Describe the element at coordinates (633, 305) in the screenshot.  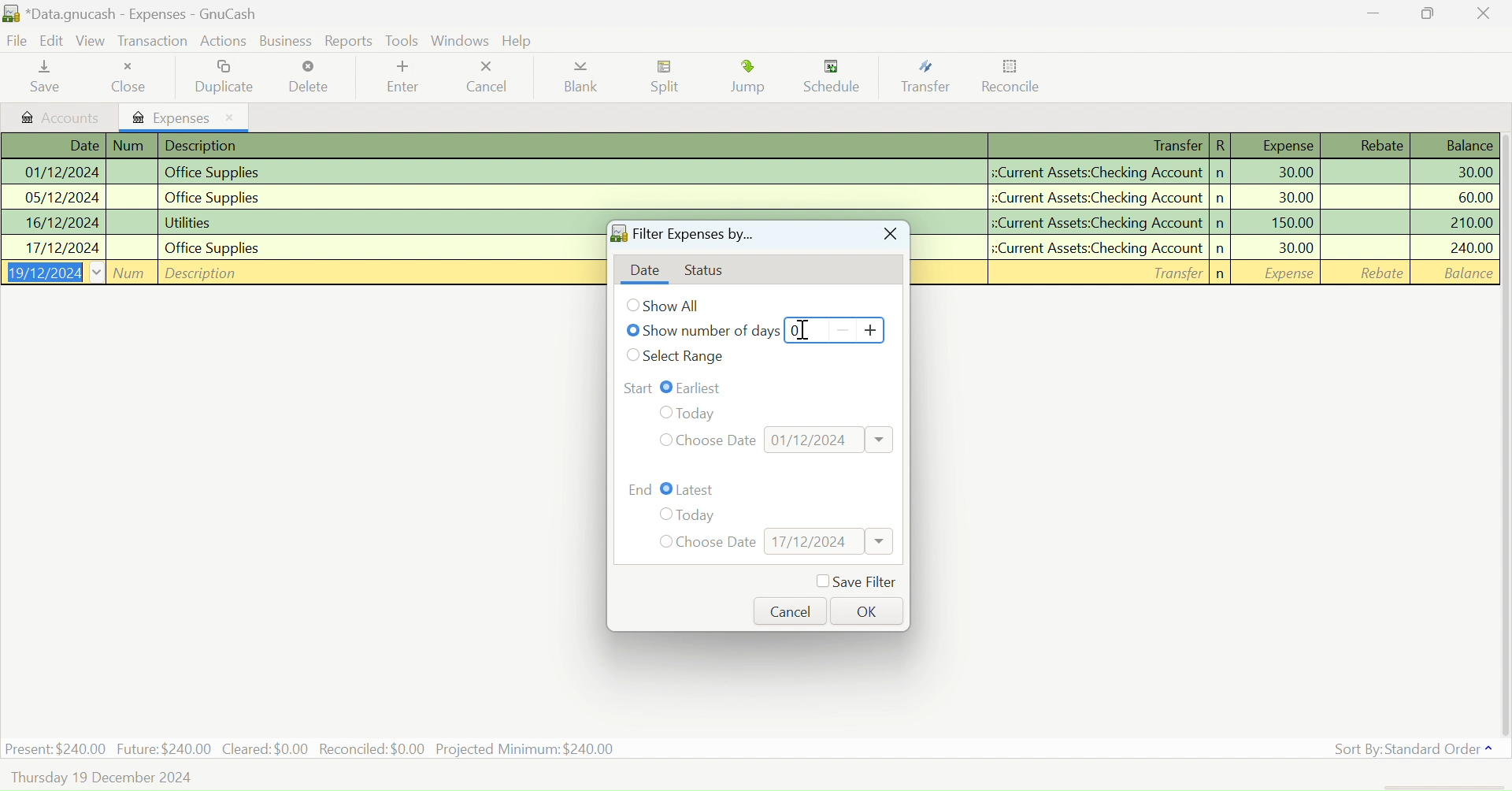
I see `Checkbox` at that location.